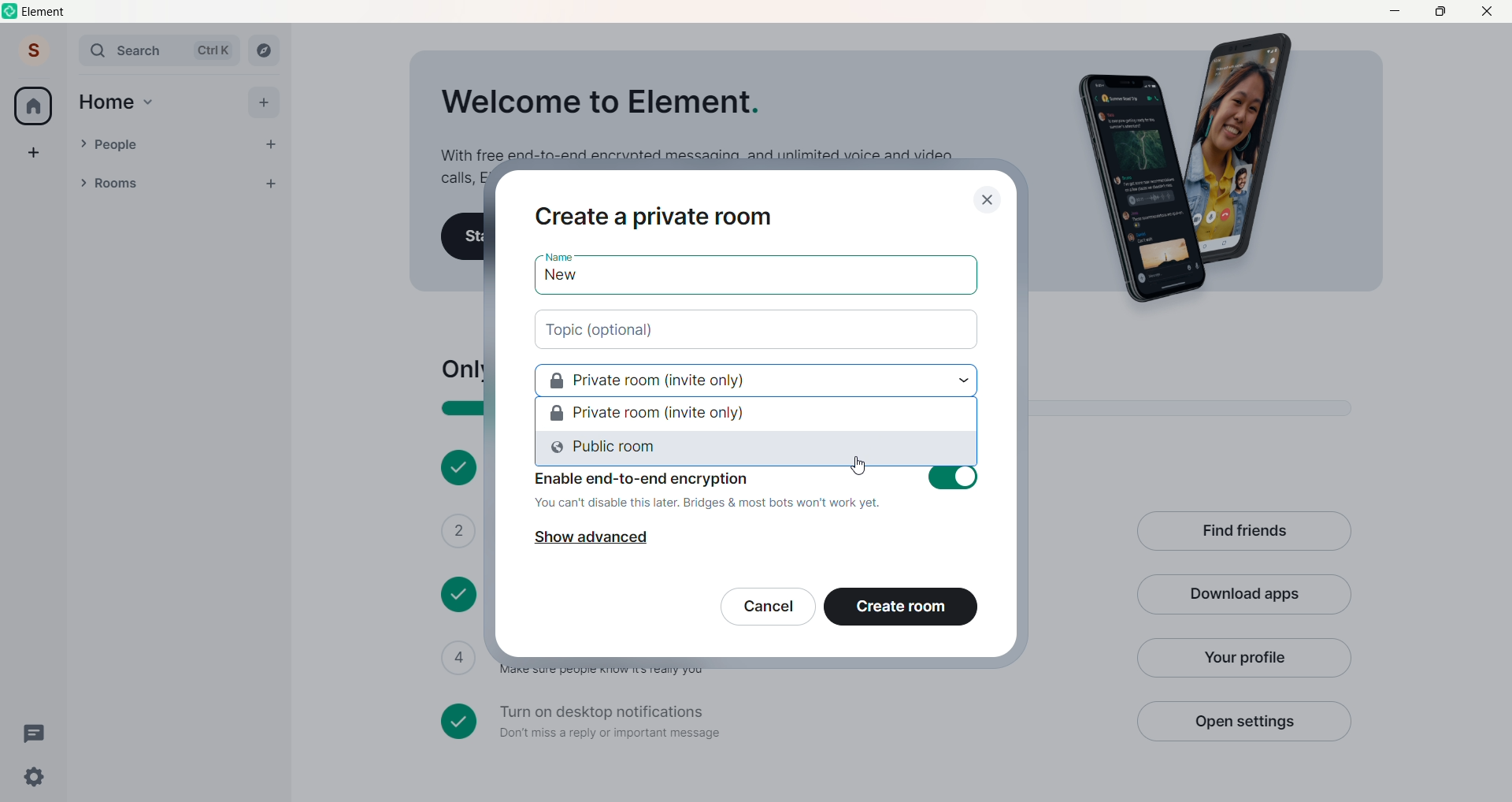 This screenshot has width=1512, height=802. What do you see at coordinates (1244, 596) in the screenshot?
I see `Download APp` at bounding box center [1244, 596].